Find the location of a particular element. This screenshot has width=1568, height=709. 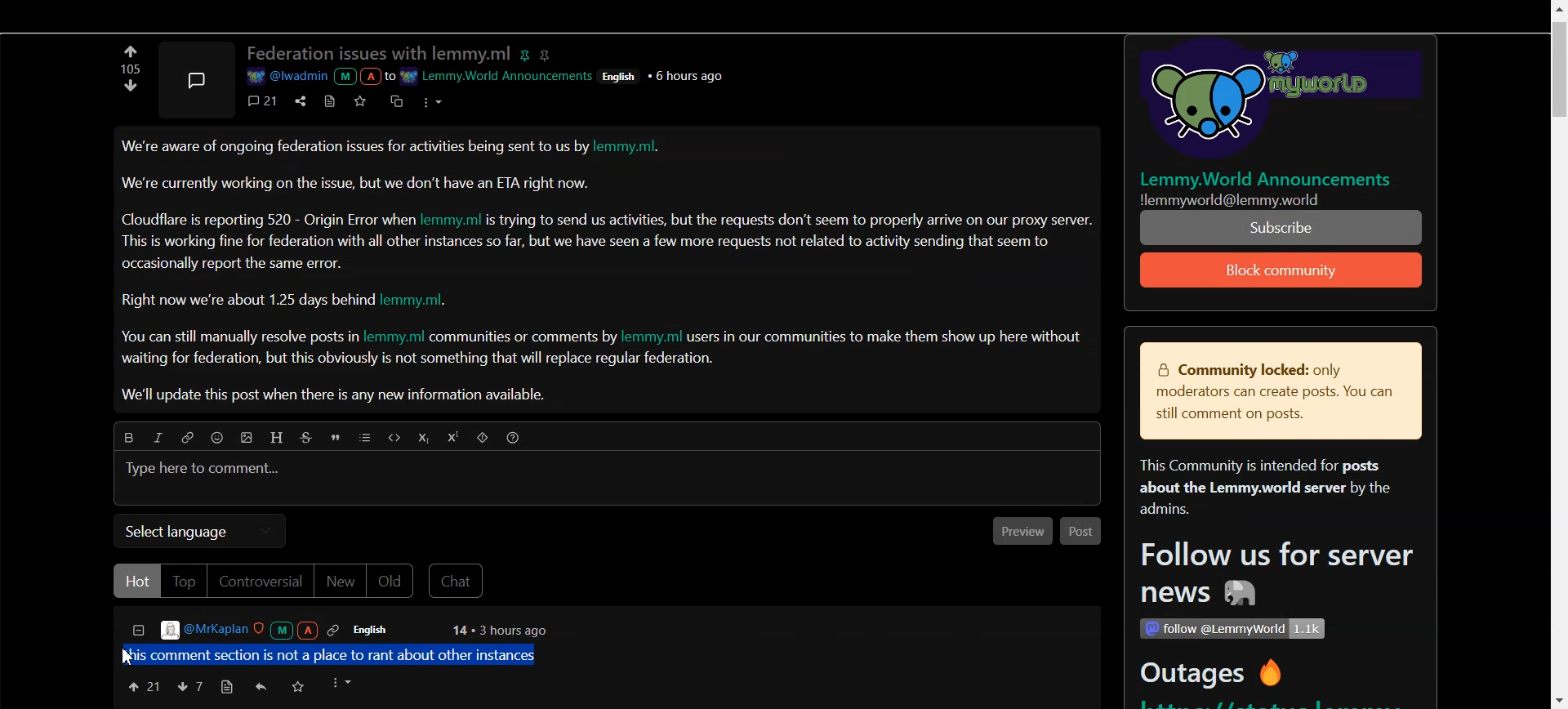

Select language is located at coordinates (199, 531).